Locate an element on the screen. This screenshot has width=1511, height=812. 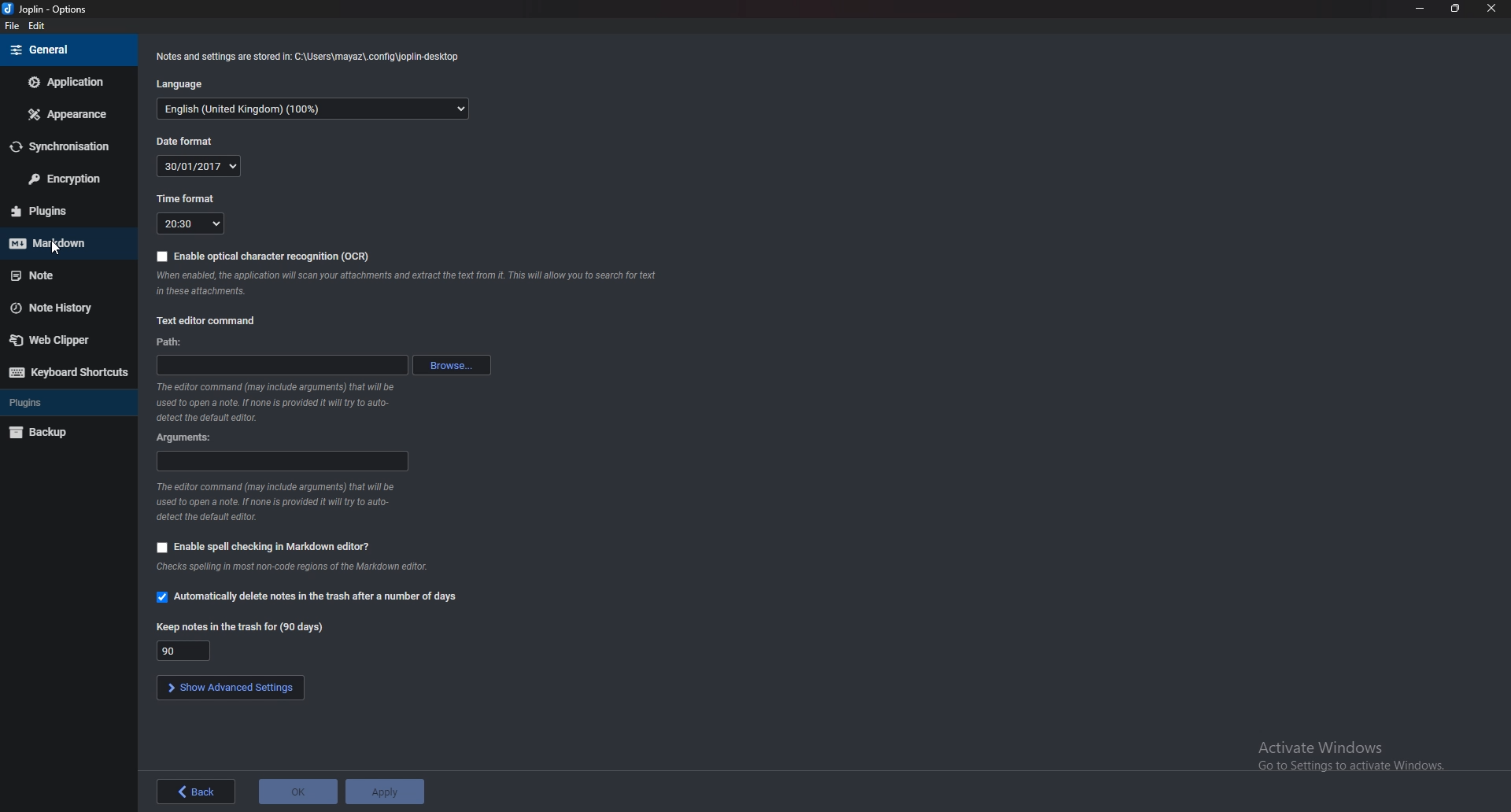
Keyboard shortcuts is located at coordinates (71, 372).